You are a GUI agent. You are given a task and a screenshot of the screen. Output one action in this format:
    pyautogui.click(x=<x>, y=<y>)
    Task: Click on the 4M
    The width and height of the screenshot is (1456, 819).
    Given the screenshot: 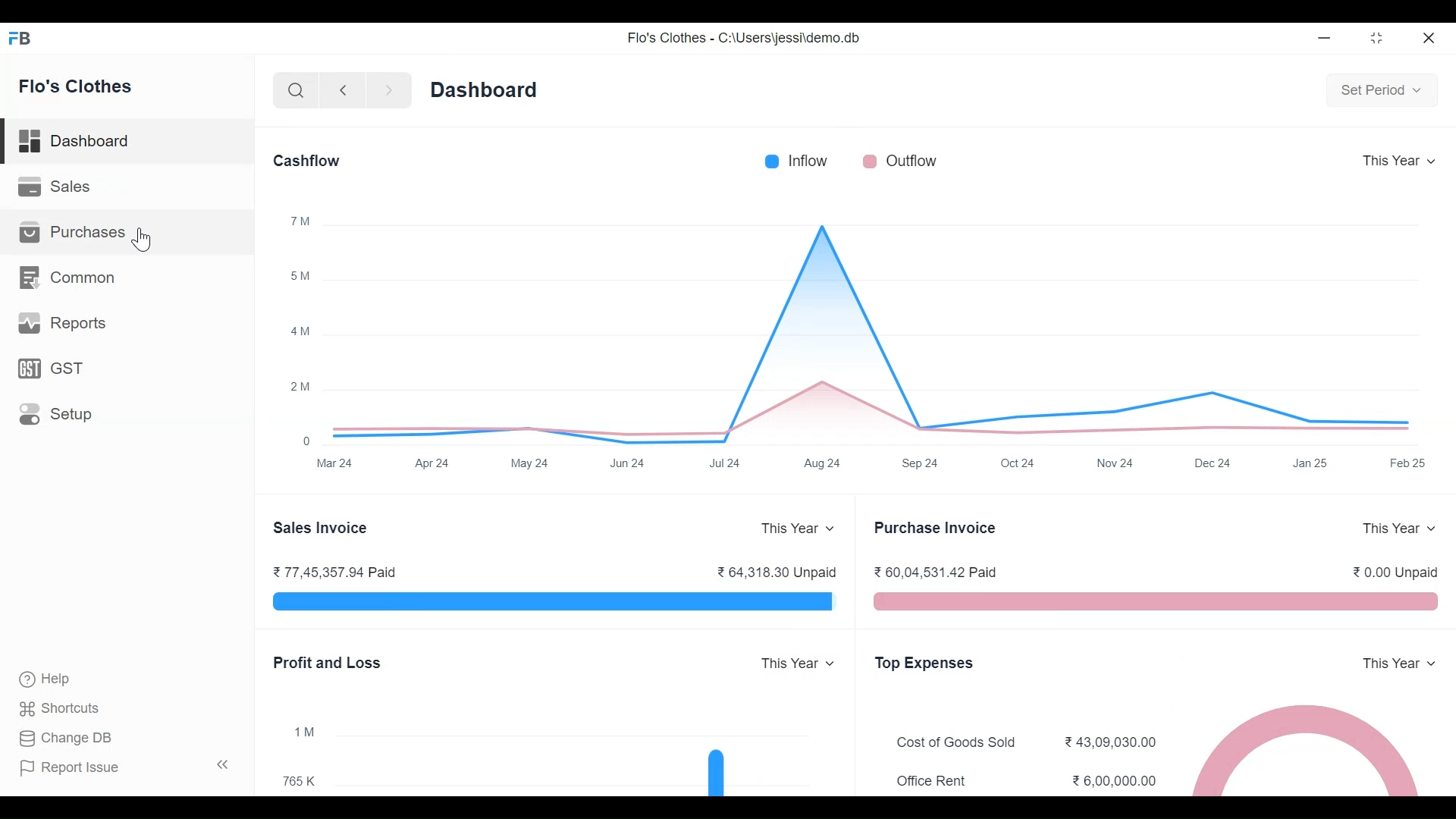 What is the action you would take?
    pyautogui.click(x=303, y=332)
    